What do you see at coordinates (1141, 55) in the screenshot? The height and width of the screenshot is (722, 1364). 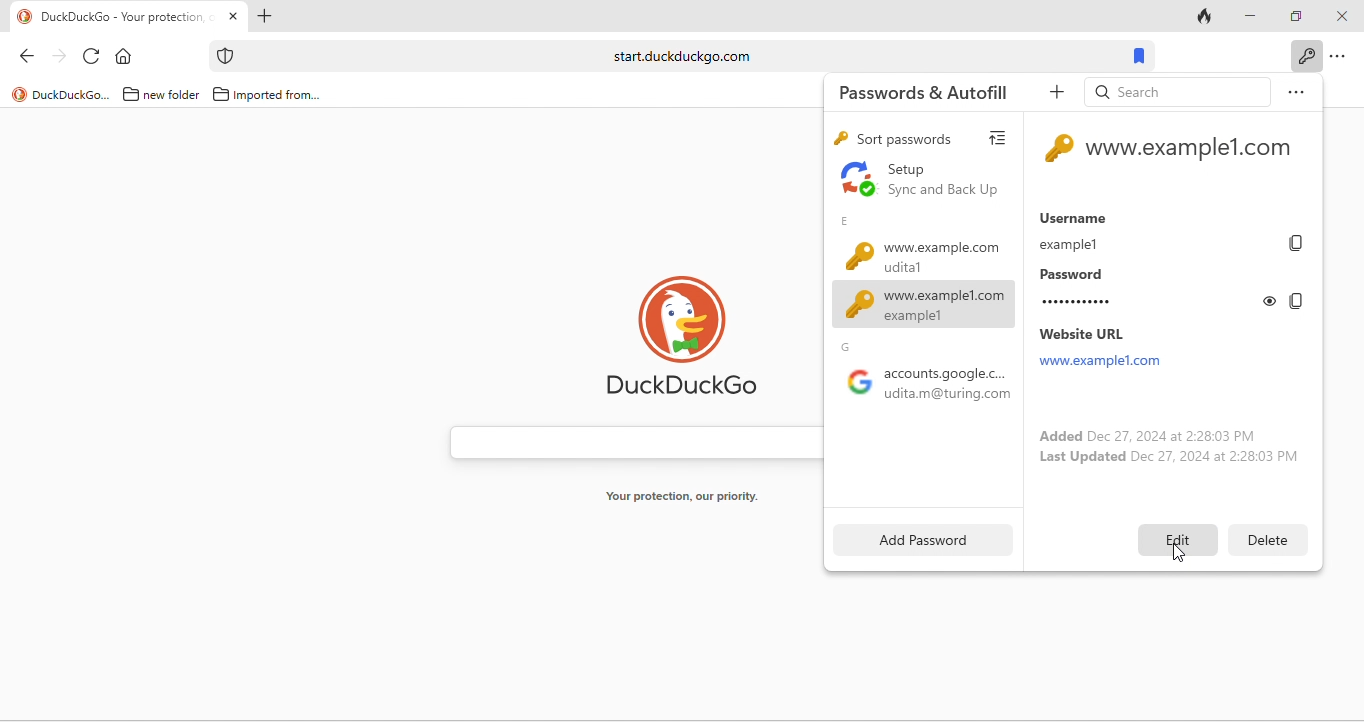 I see `bookmarks` at bounding box center [1141, 55].